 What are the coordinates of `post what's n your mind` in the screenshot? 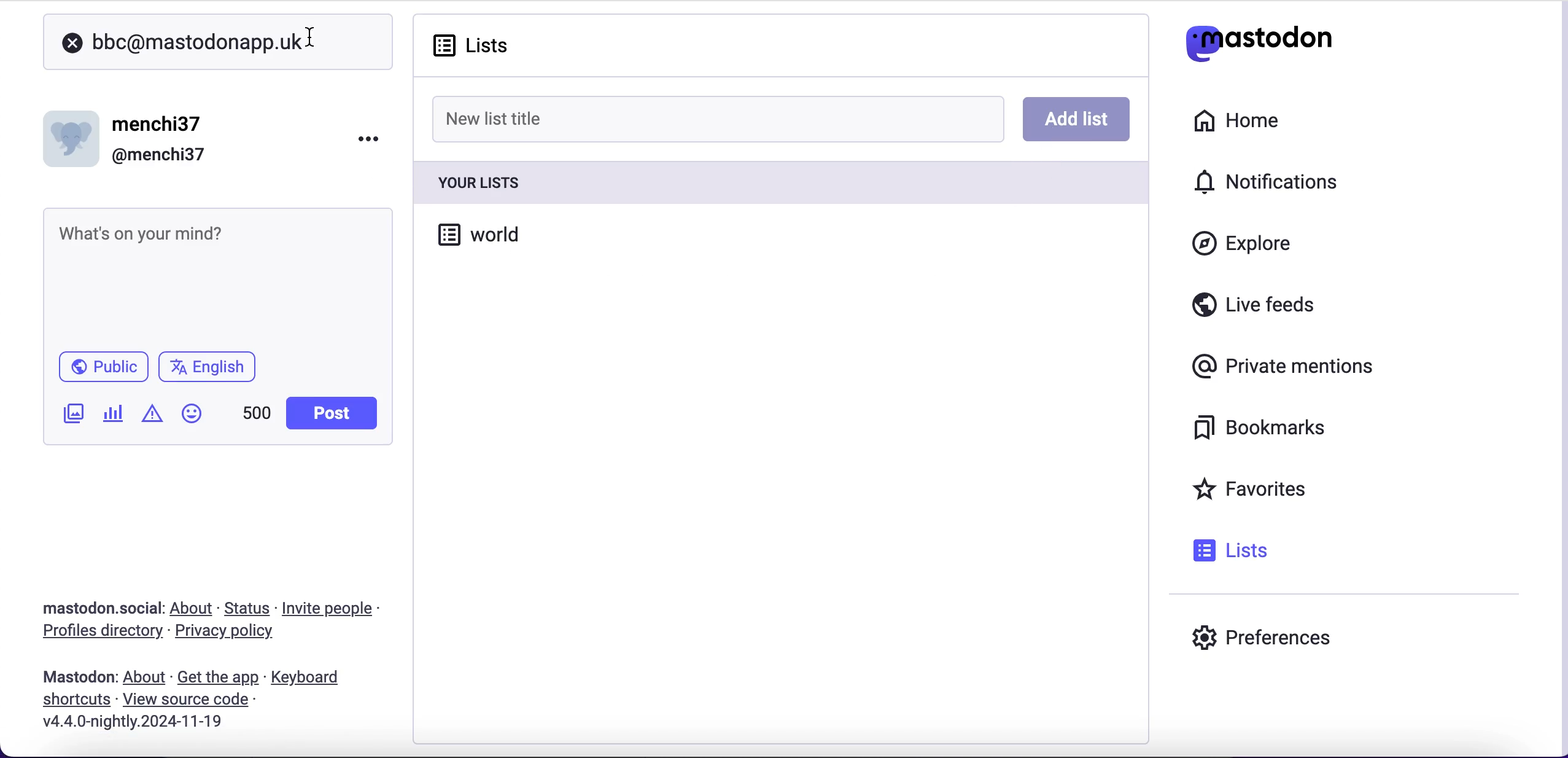 It's located at (217, 276).